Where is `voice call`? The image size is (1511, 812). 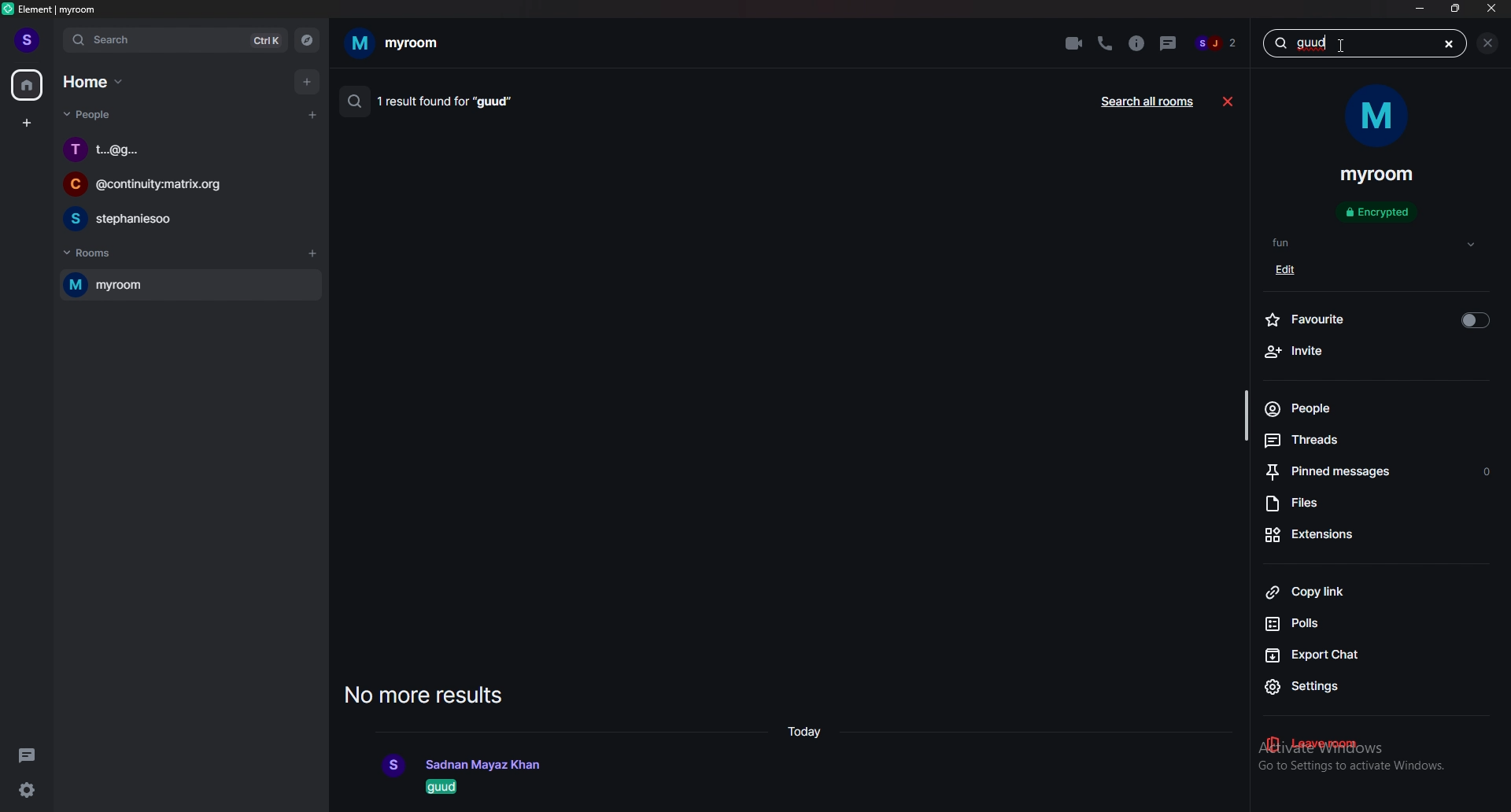 voice call is located at coordinates (1103, 43).